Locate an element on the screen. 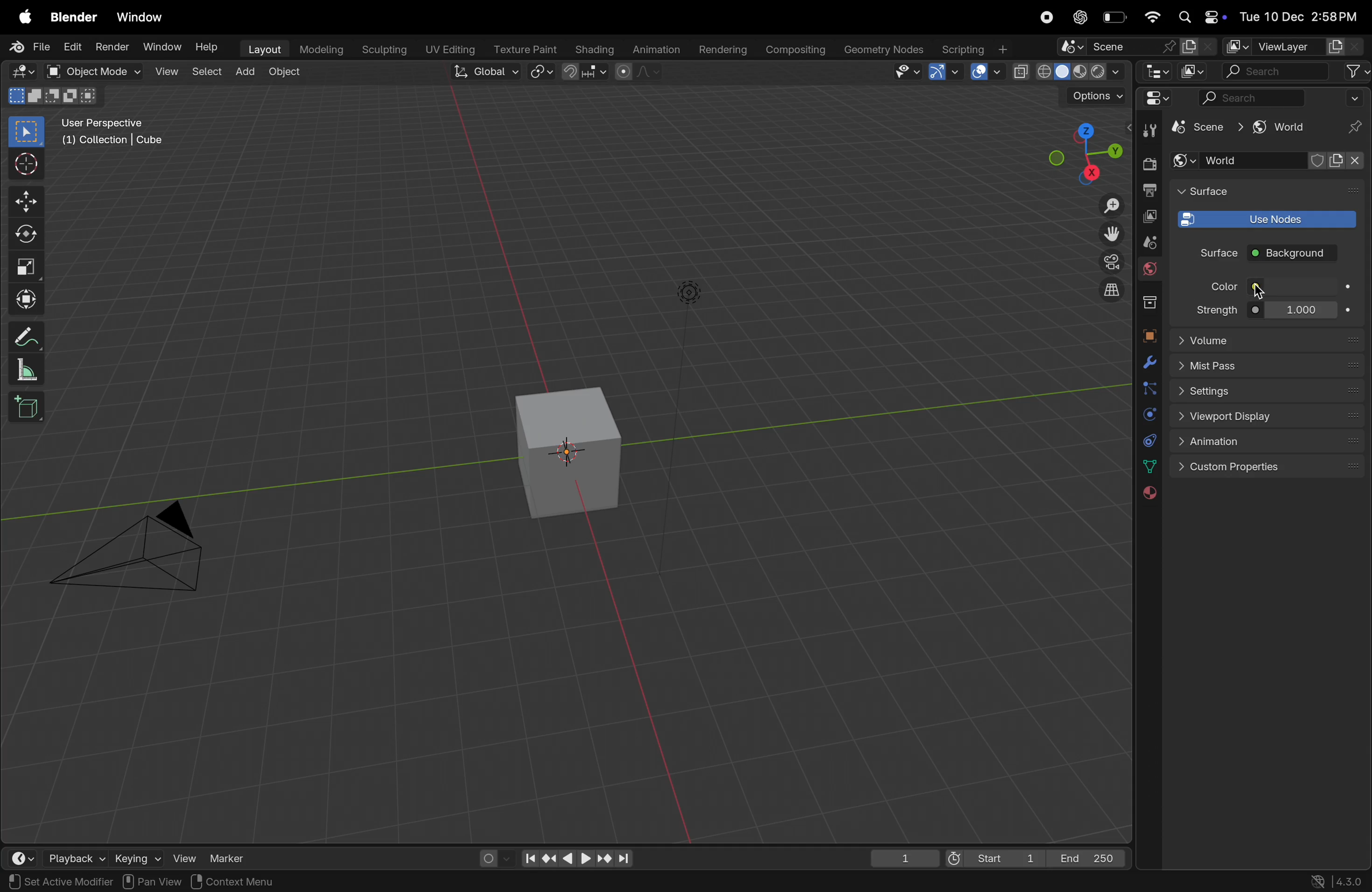  battery is located at coordinates (1115, 17).